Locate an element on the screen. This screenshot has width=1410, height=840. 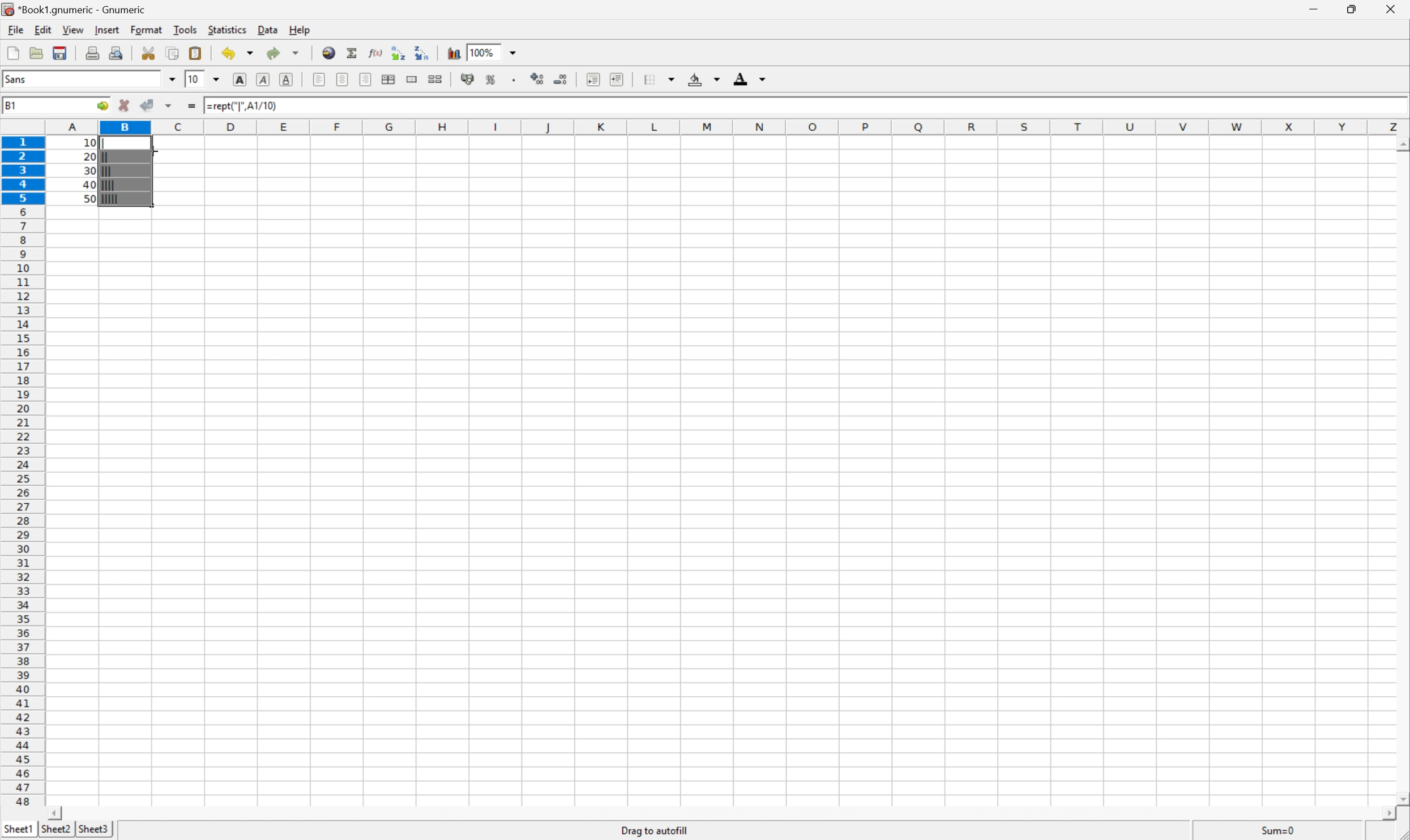
Sheet2 is located at coordinates (57, 829).